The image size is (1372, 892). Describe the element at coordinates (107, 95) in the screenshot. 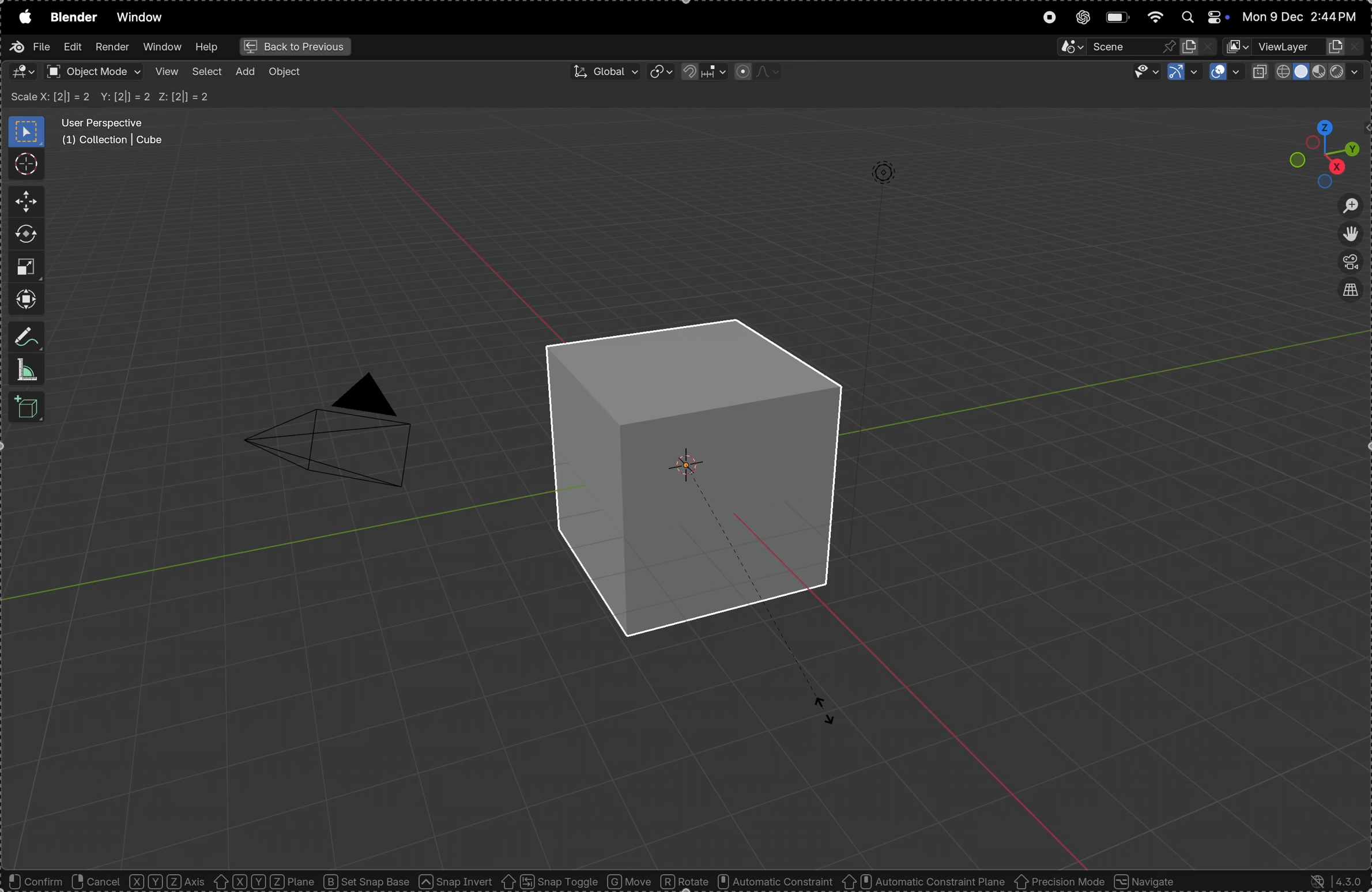

I see `Scale X Y Z` at that location.